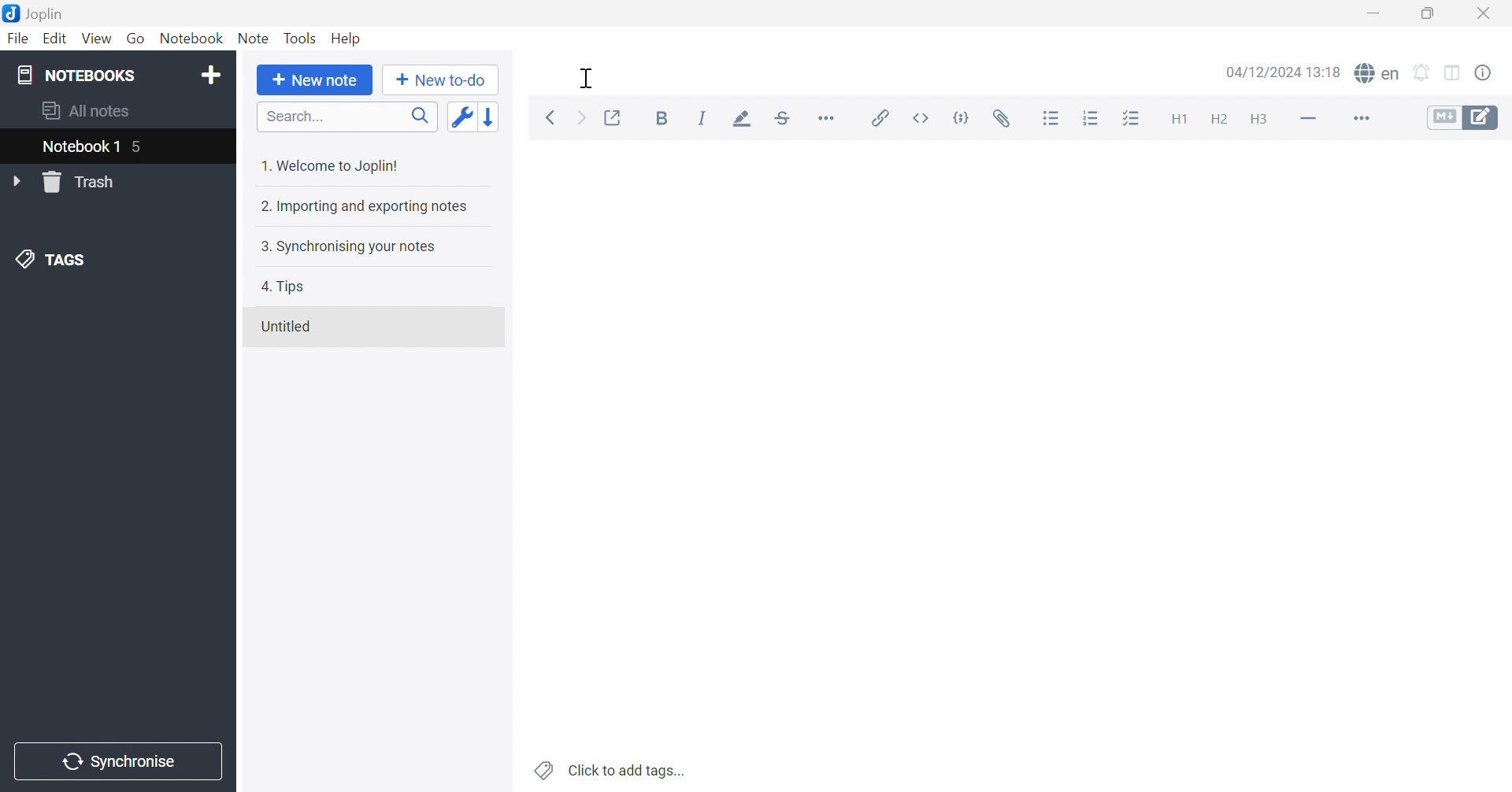 The image size is (1512, 792). What do you see at coordinates (1378, 73) in the screenshot?
I see `spell checker` at bounding box center [1378, 73].